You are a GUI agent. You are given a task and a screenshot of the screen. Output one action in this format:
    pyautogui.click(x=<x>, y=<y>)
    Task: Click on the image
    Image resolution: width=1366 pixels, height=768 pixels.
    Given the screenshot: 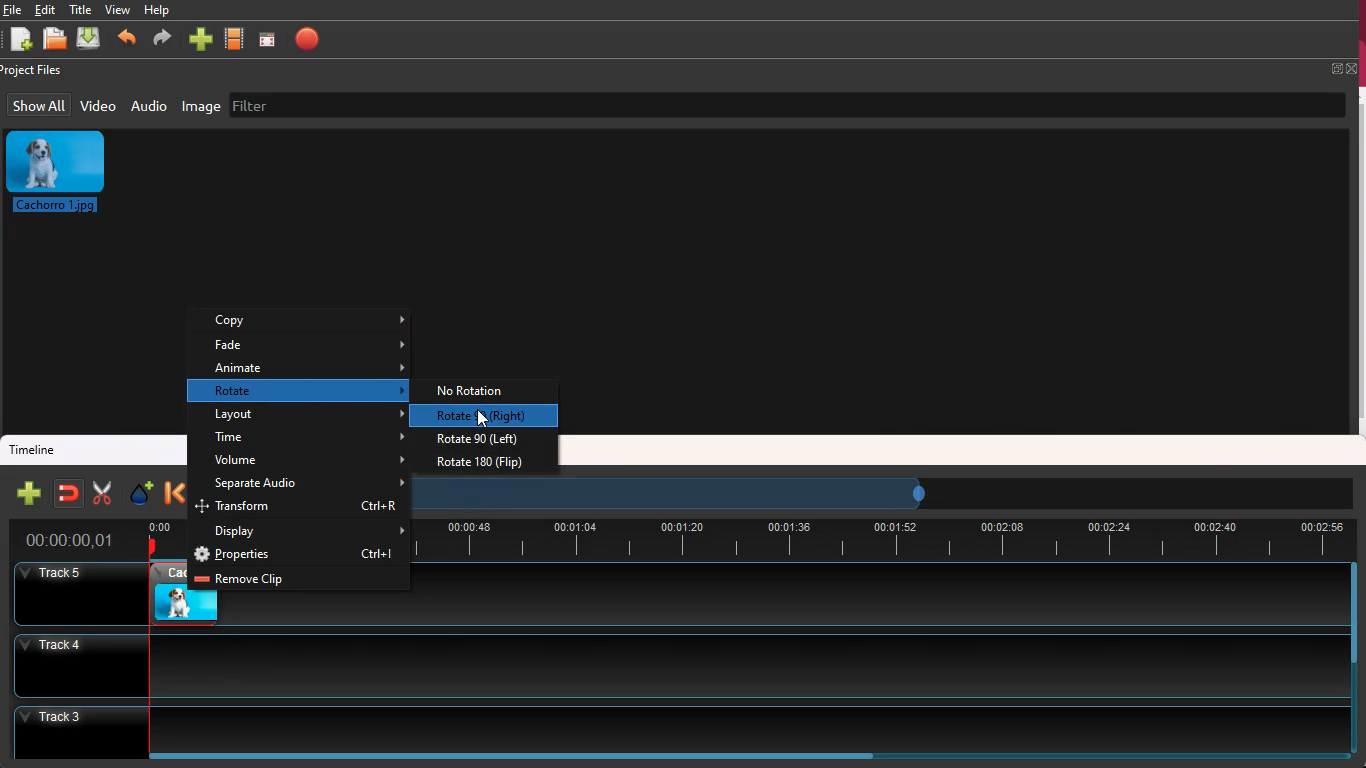 What is the action you would take?
    pyautogui.click(x=201, y=107)
    